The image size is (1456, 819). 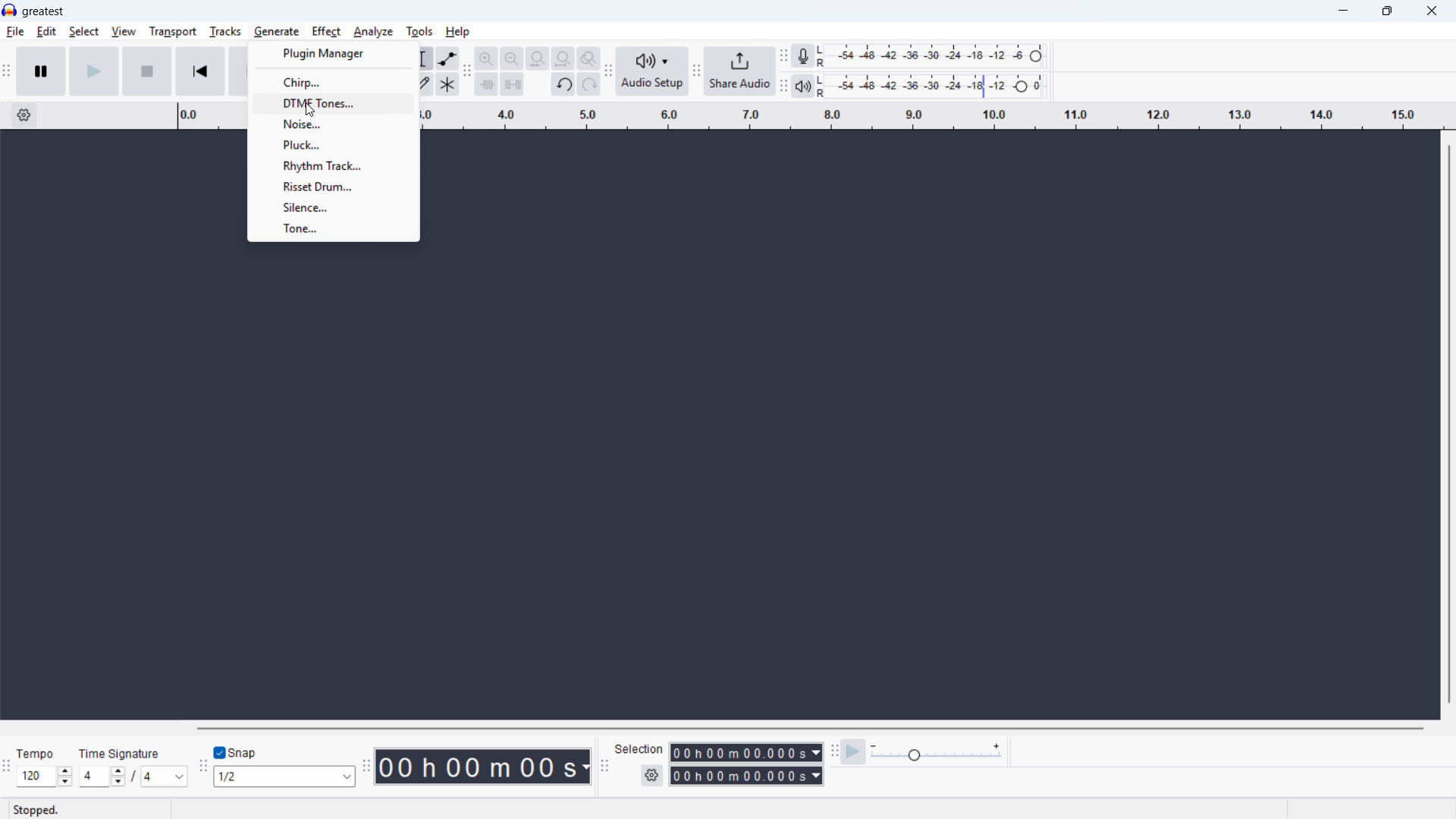 What do you see at coordinates (6, 769) in the screenshot?
I see `Time signature toolbar ` at bounding box center [6, 769].